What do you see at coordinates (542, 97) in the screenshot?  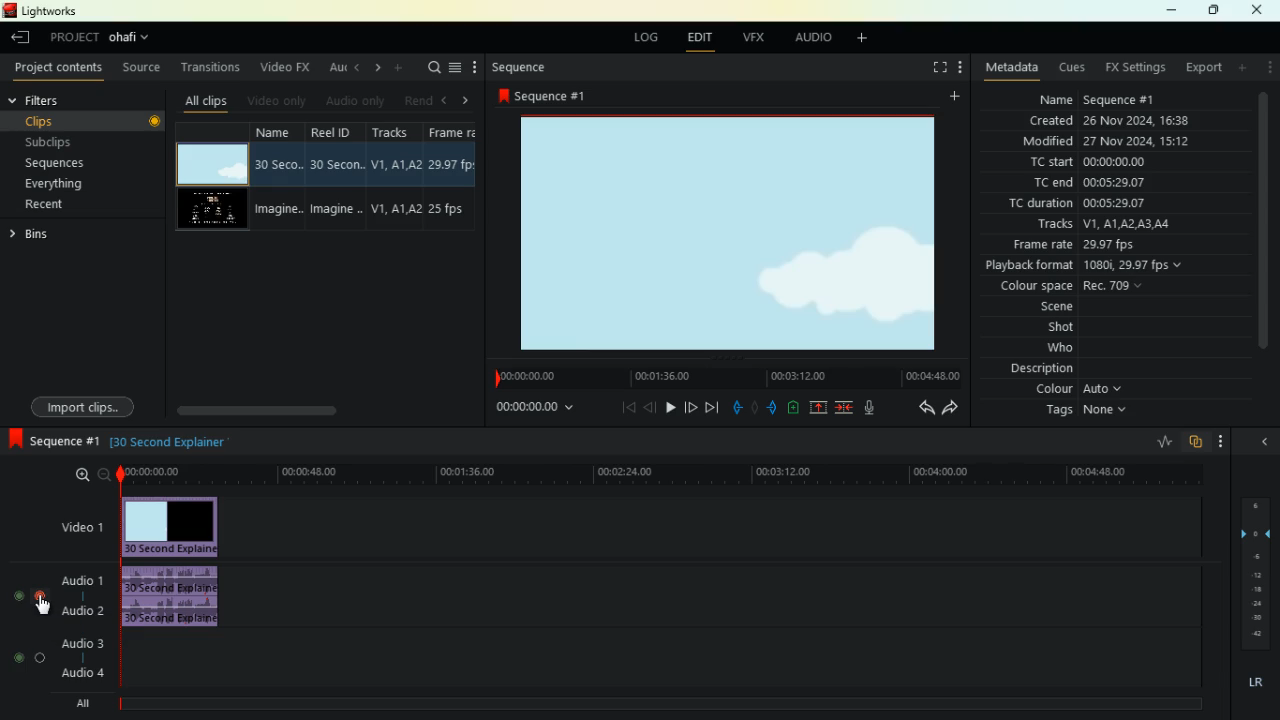 I see `sequence` at bounding box center [542, 97].